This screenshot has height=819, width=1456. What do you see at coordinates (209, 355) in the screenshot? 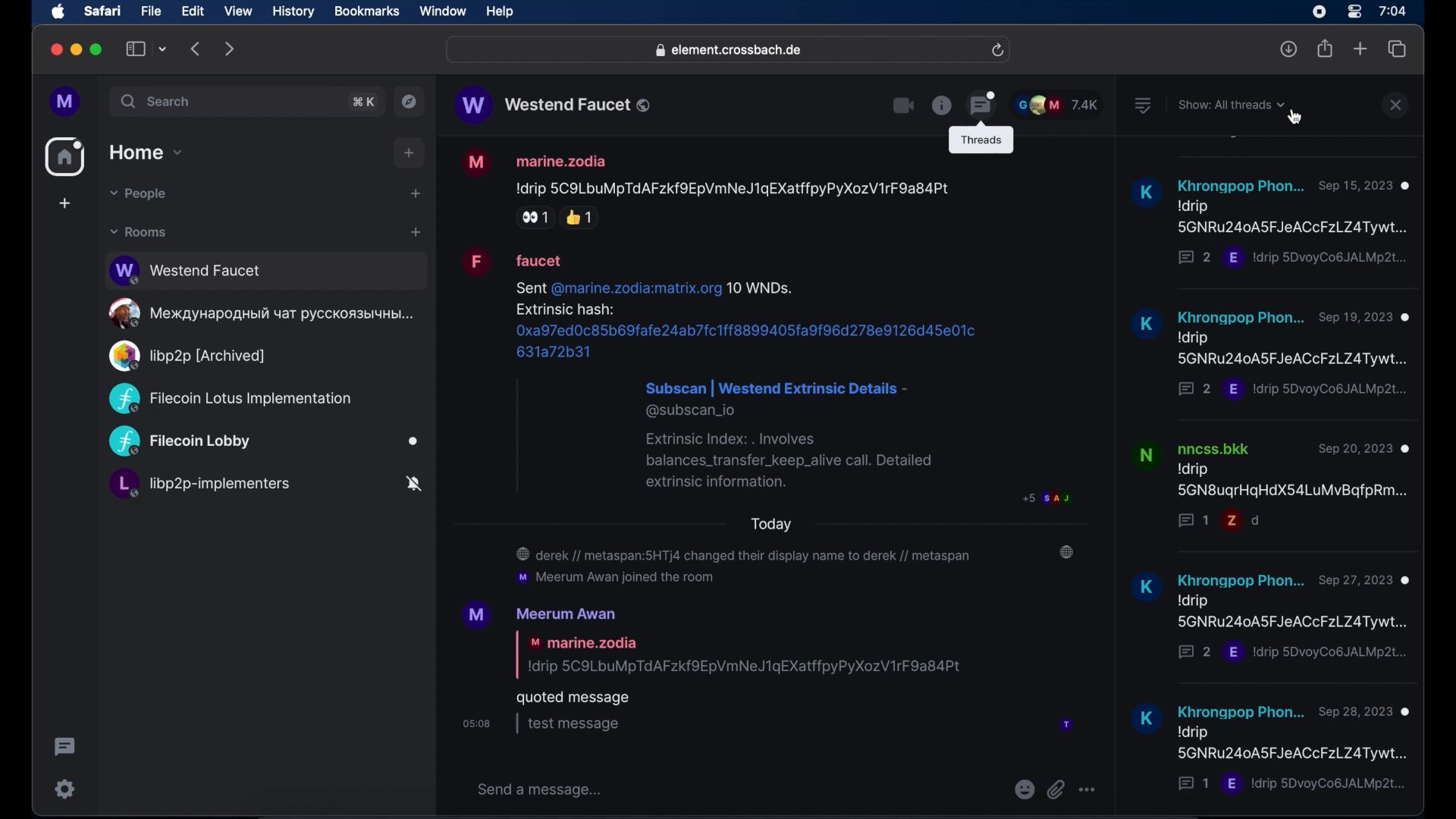
I see `Q) libp2p [Archived]` at bounding box center [209, 355].